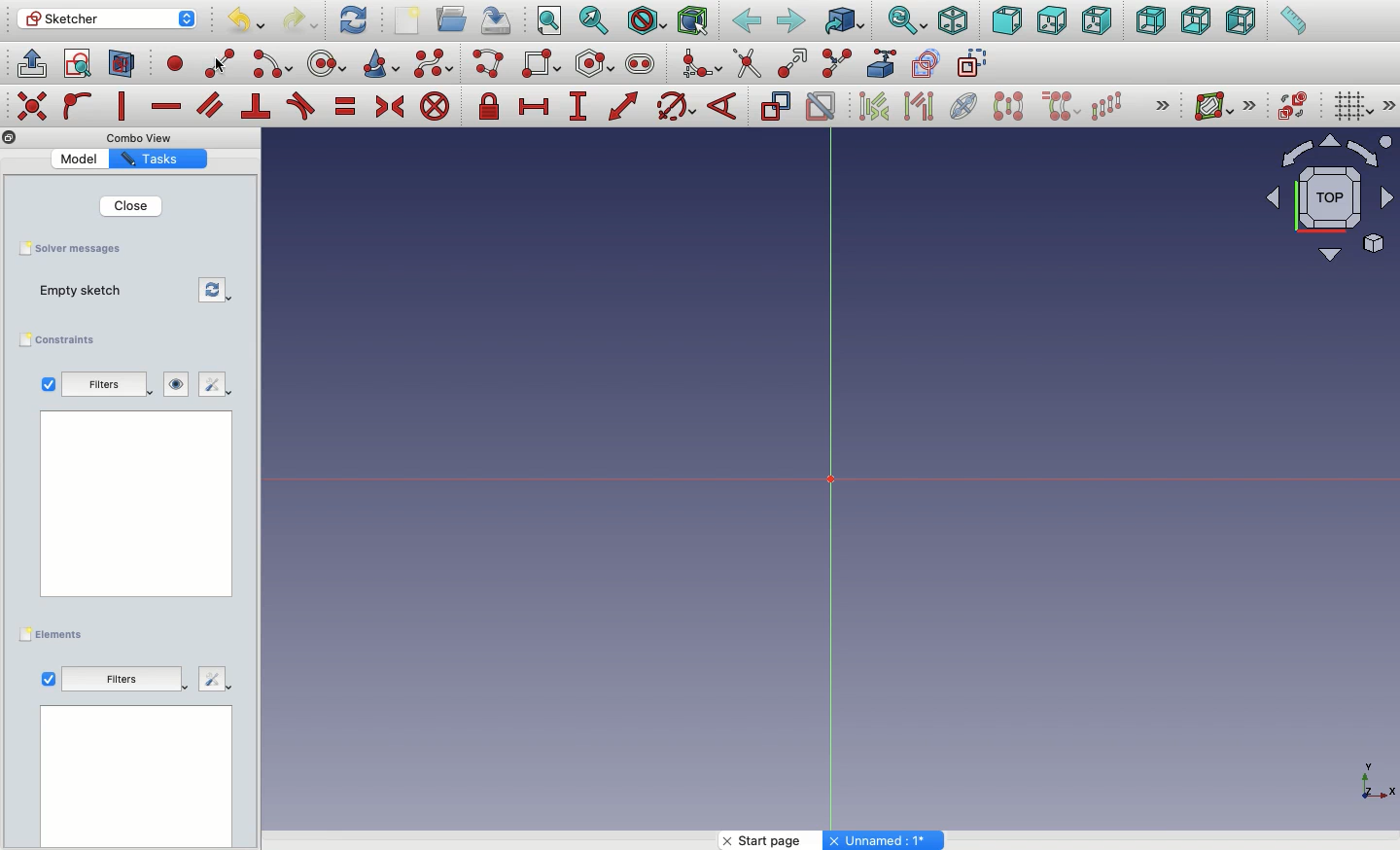 The height and width of the screenshot is (850, 1400). I want to click on Edit, so click(217, 385).